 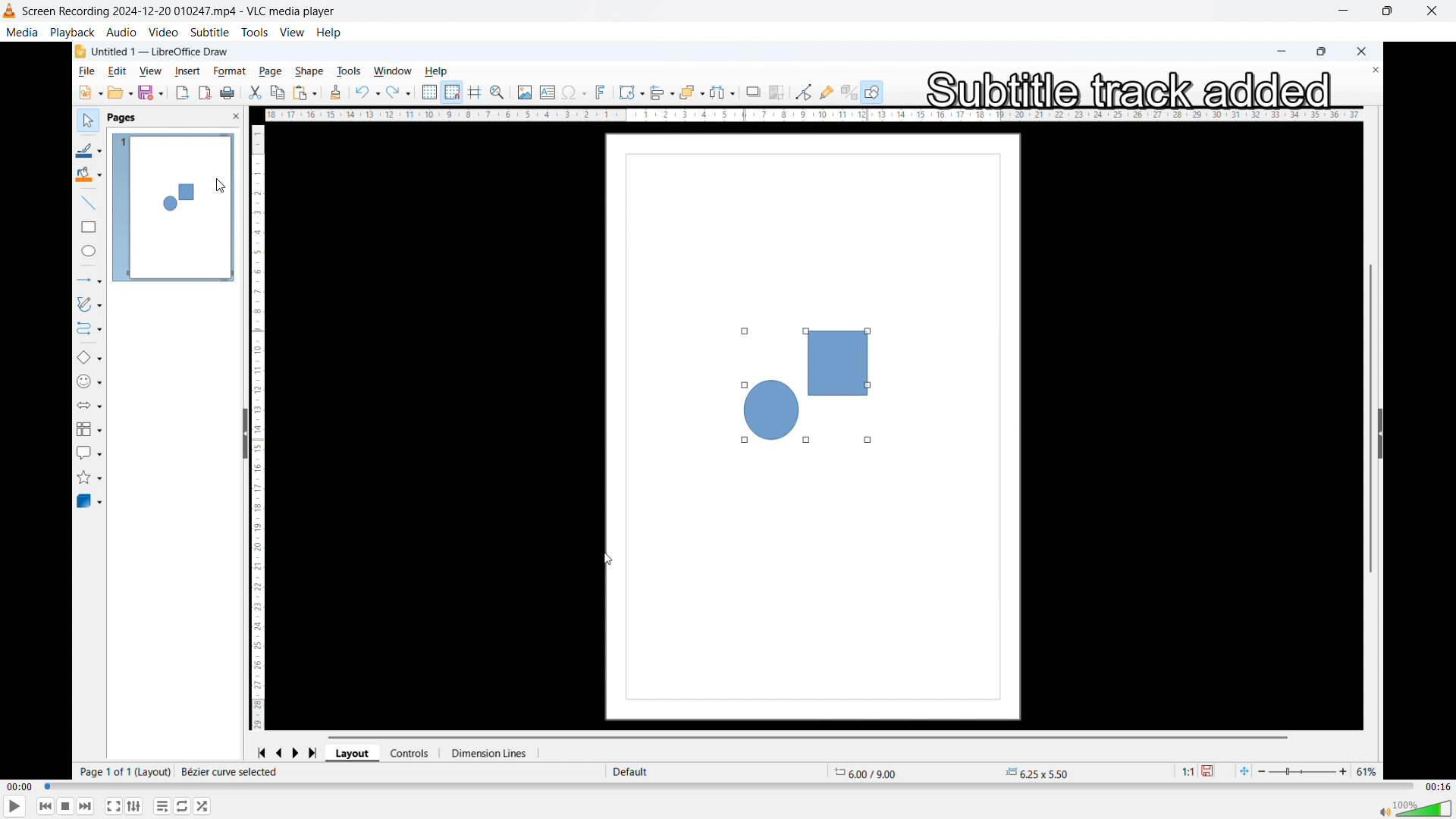 I want to click on select at least three object to distribute, so click(x=725, y=93).